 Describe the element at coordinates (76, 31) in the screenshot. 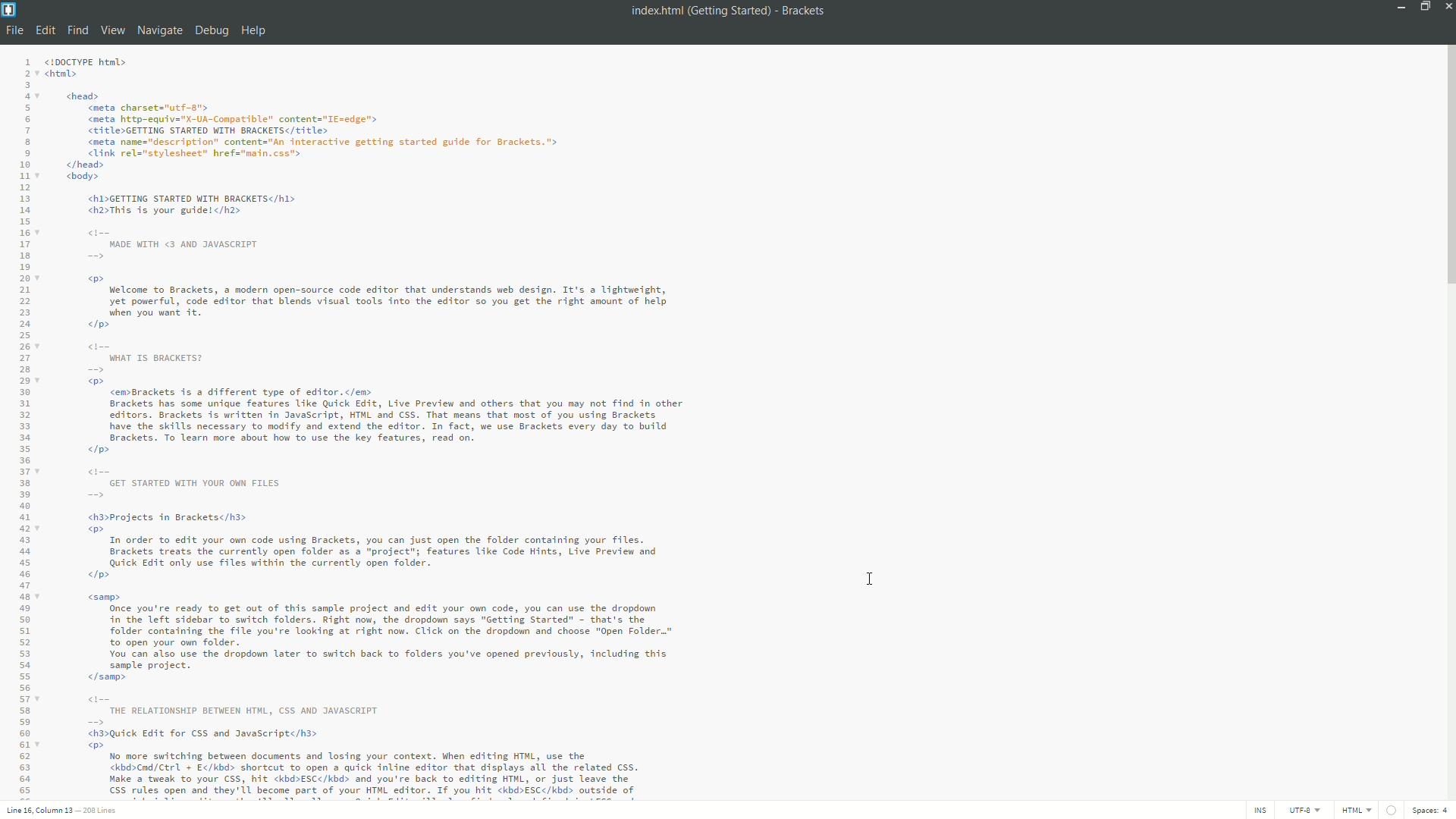

I see `find menu` at that location.